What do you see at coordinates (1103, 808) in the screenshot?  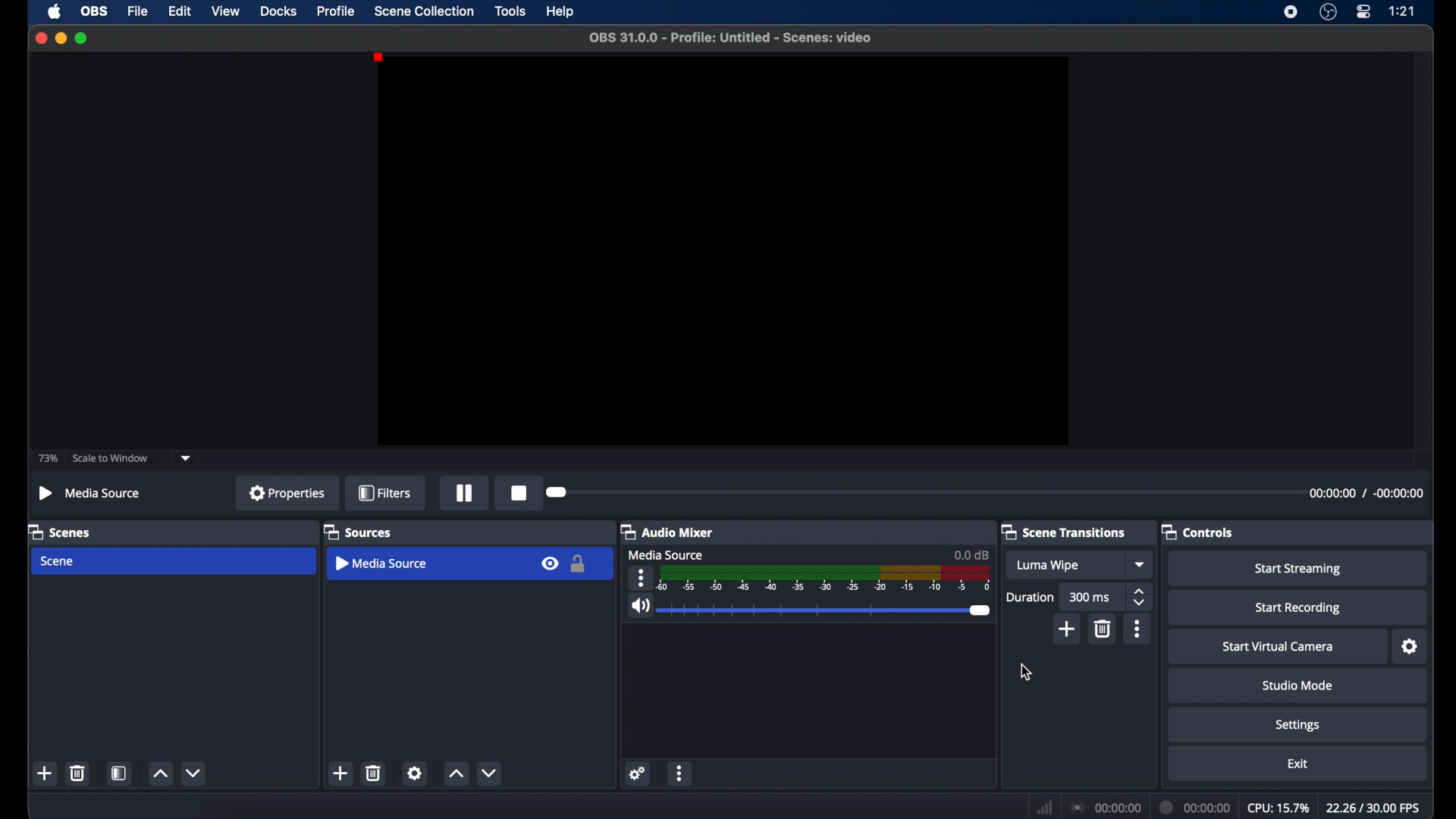 I see `connection` at bounding box center [1103, 808].